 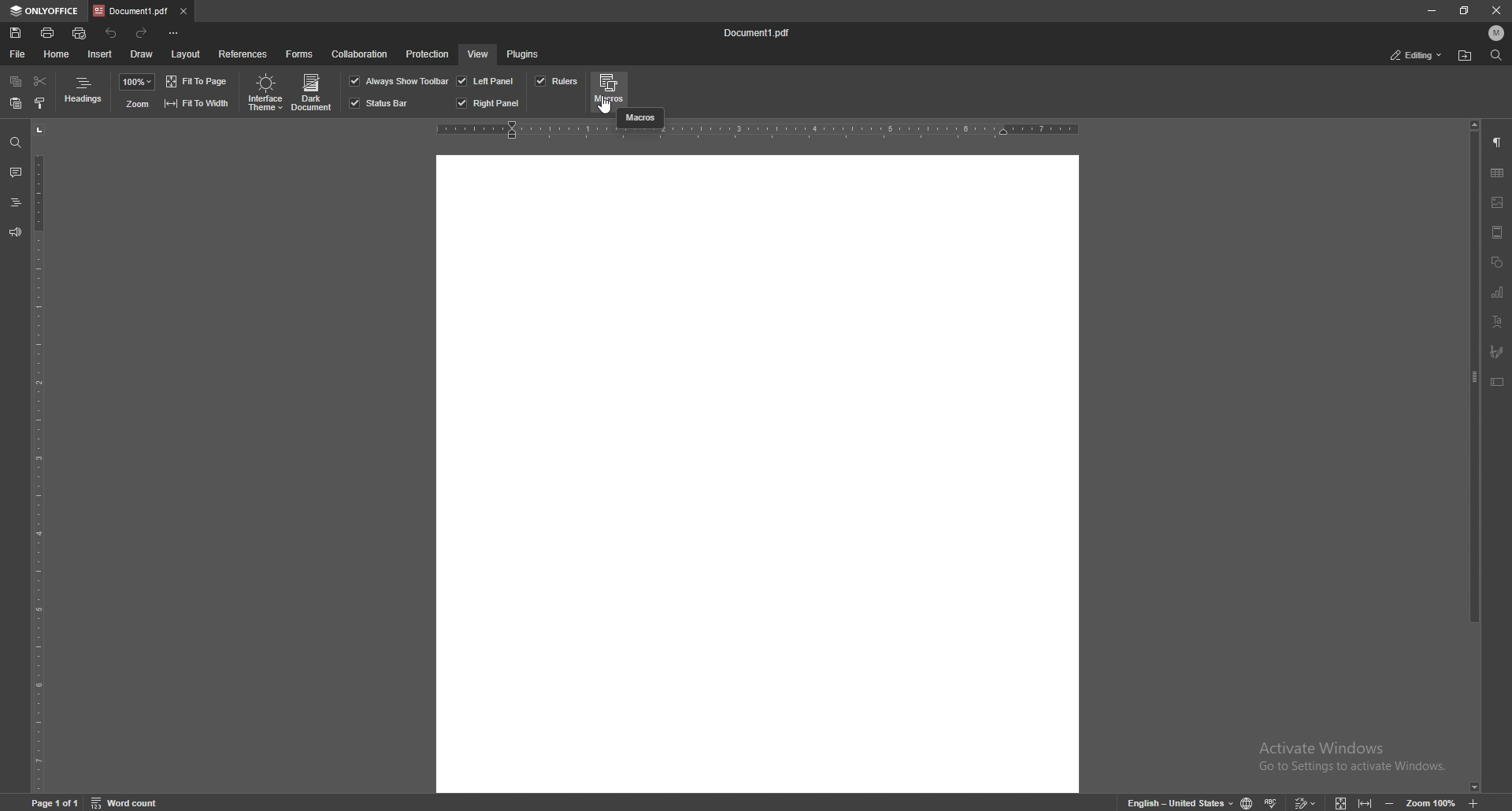 I want to click on page, so click(x=57, y=802).